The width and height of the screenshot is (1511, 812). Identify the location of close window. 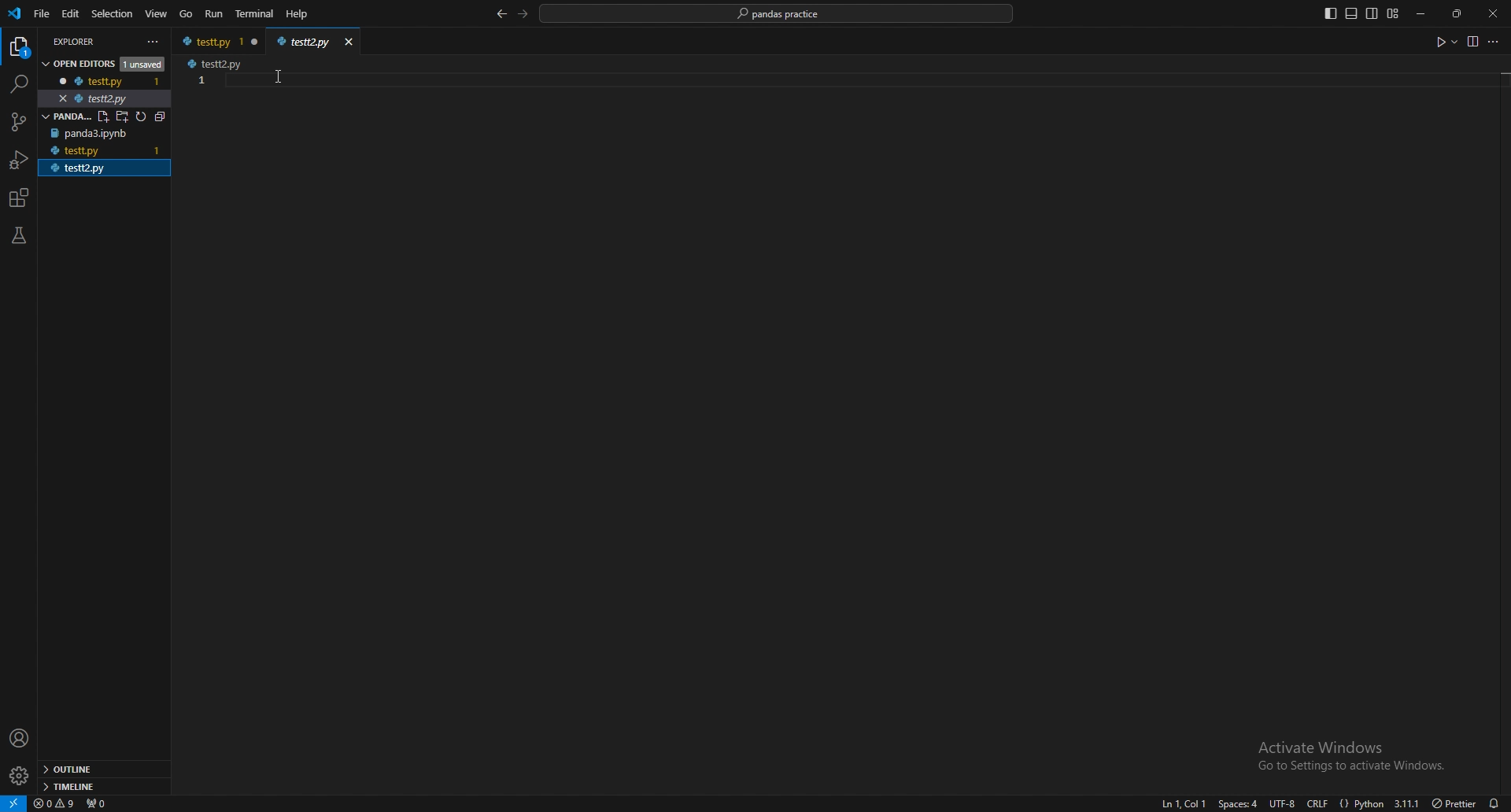
(349, 41).